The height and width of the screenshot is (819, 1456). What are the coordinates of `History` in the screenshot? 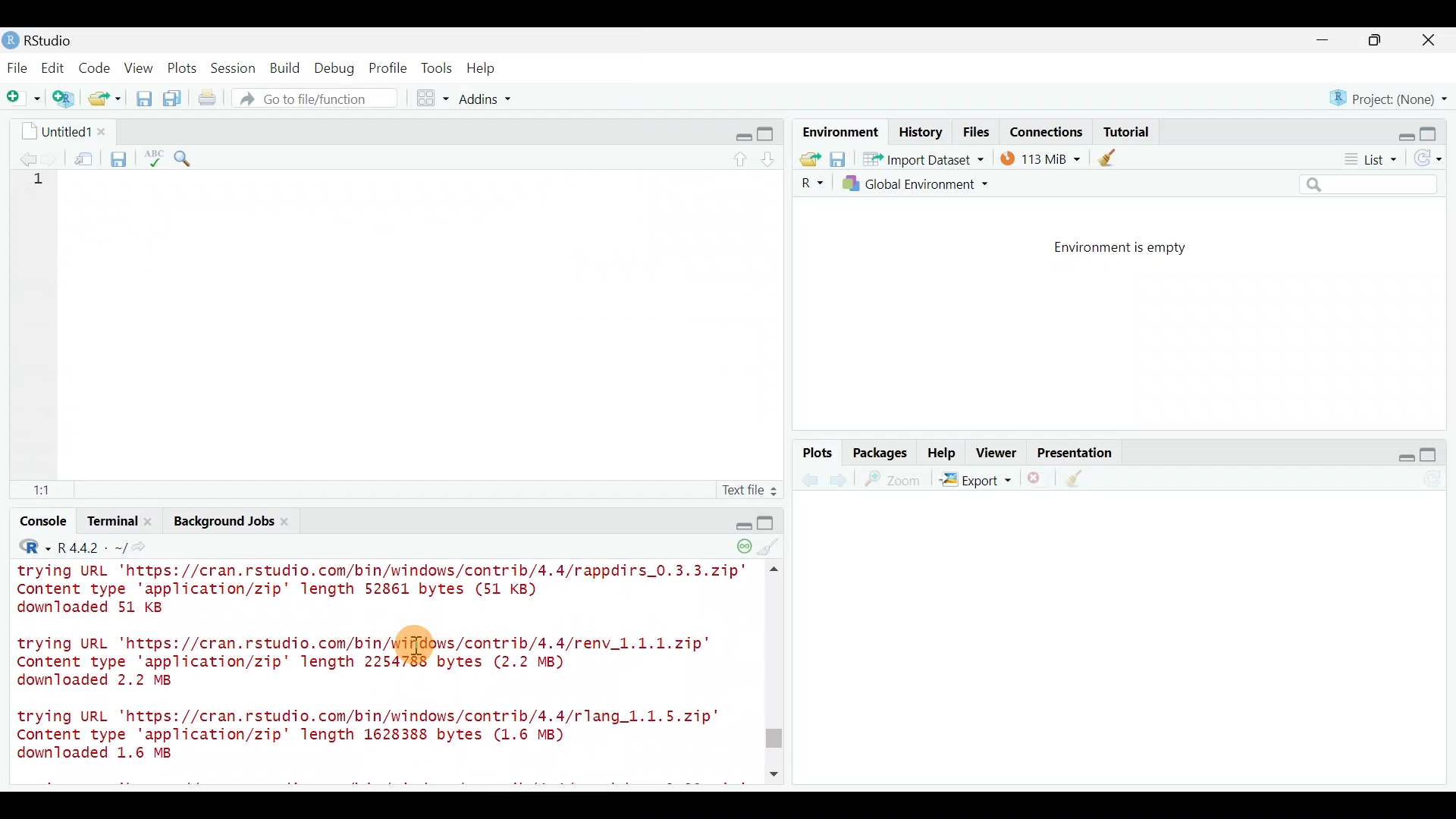 It's located at (921, 131).